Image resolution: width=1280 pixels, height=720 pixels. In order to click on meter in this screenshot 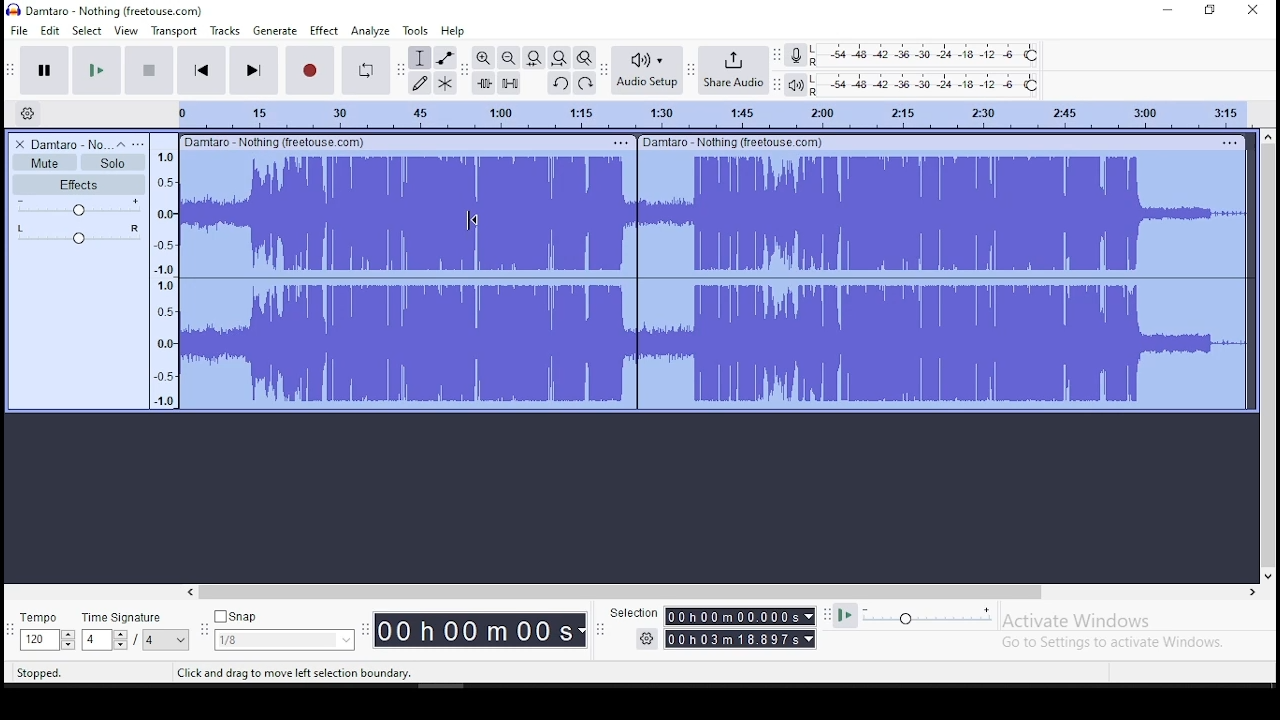, I will do `click(163, 277)`.